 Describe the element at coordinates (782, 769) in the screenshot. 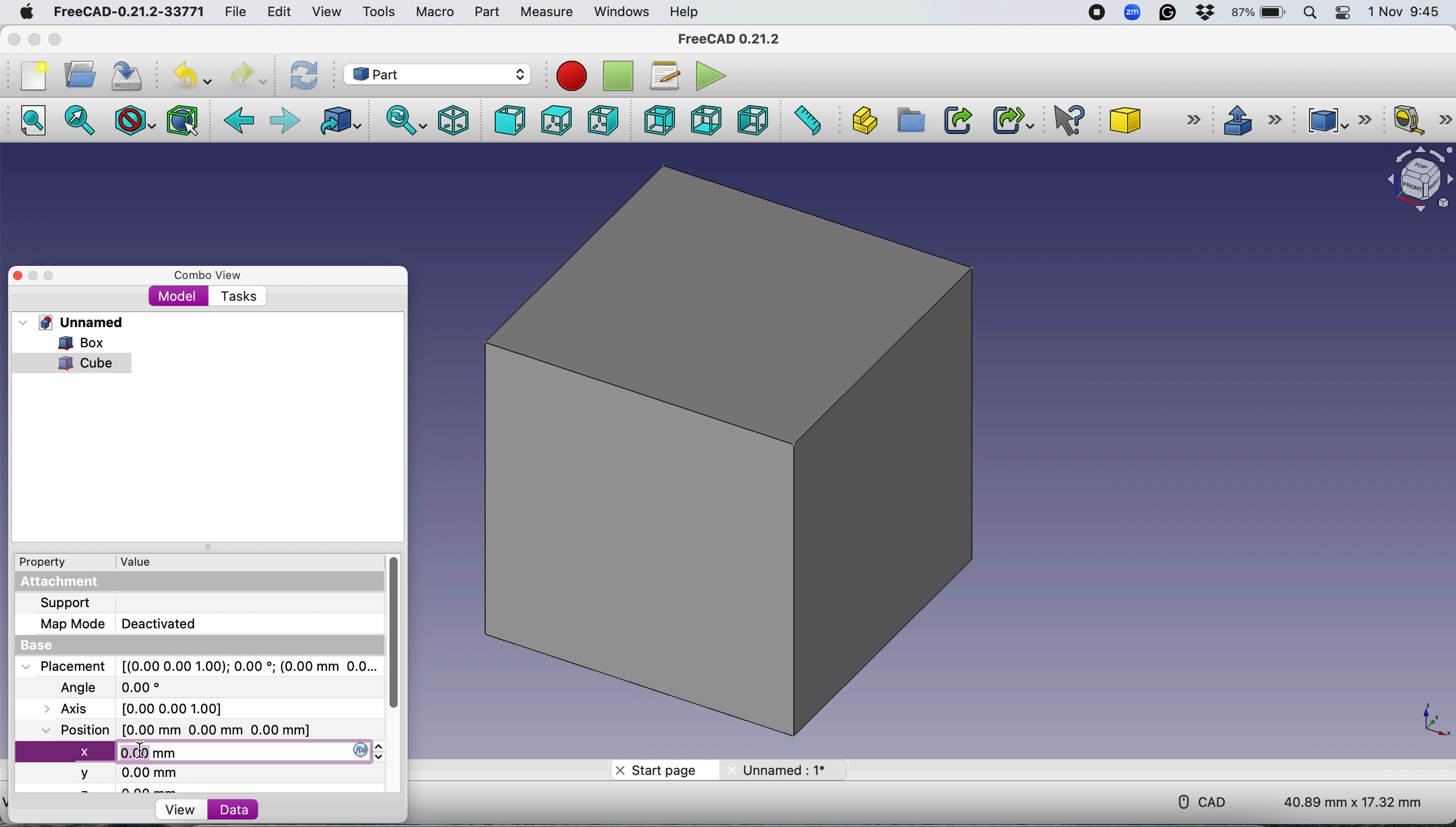

I see `Unnamed` at that location.